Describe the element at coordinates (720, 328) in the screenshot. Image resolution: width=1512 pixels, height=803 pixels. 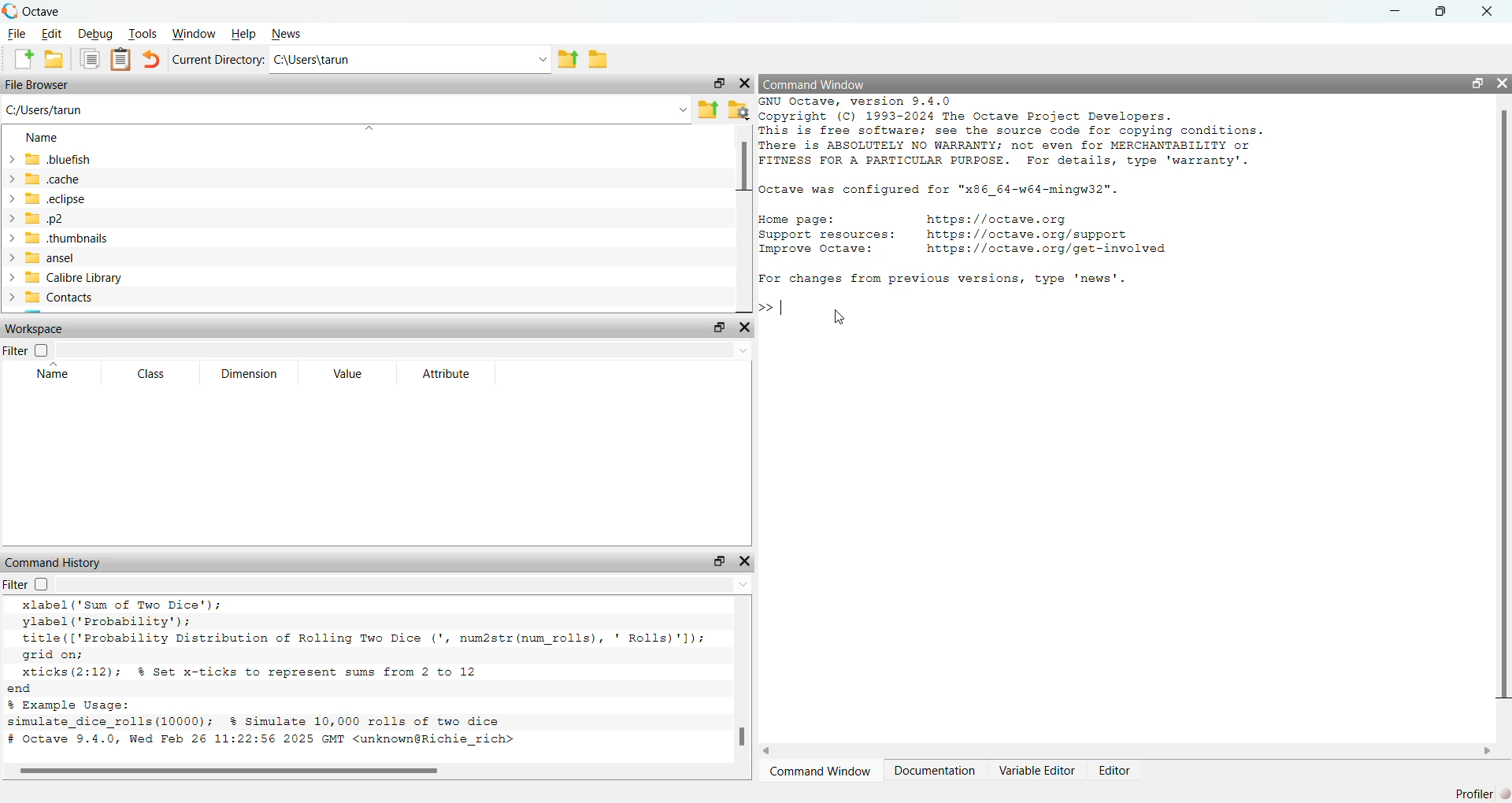
I see `Maximize` at that location.